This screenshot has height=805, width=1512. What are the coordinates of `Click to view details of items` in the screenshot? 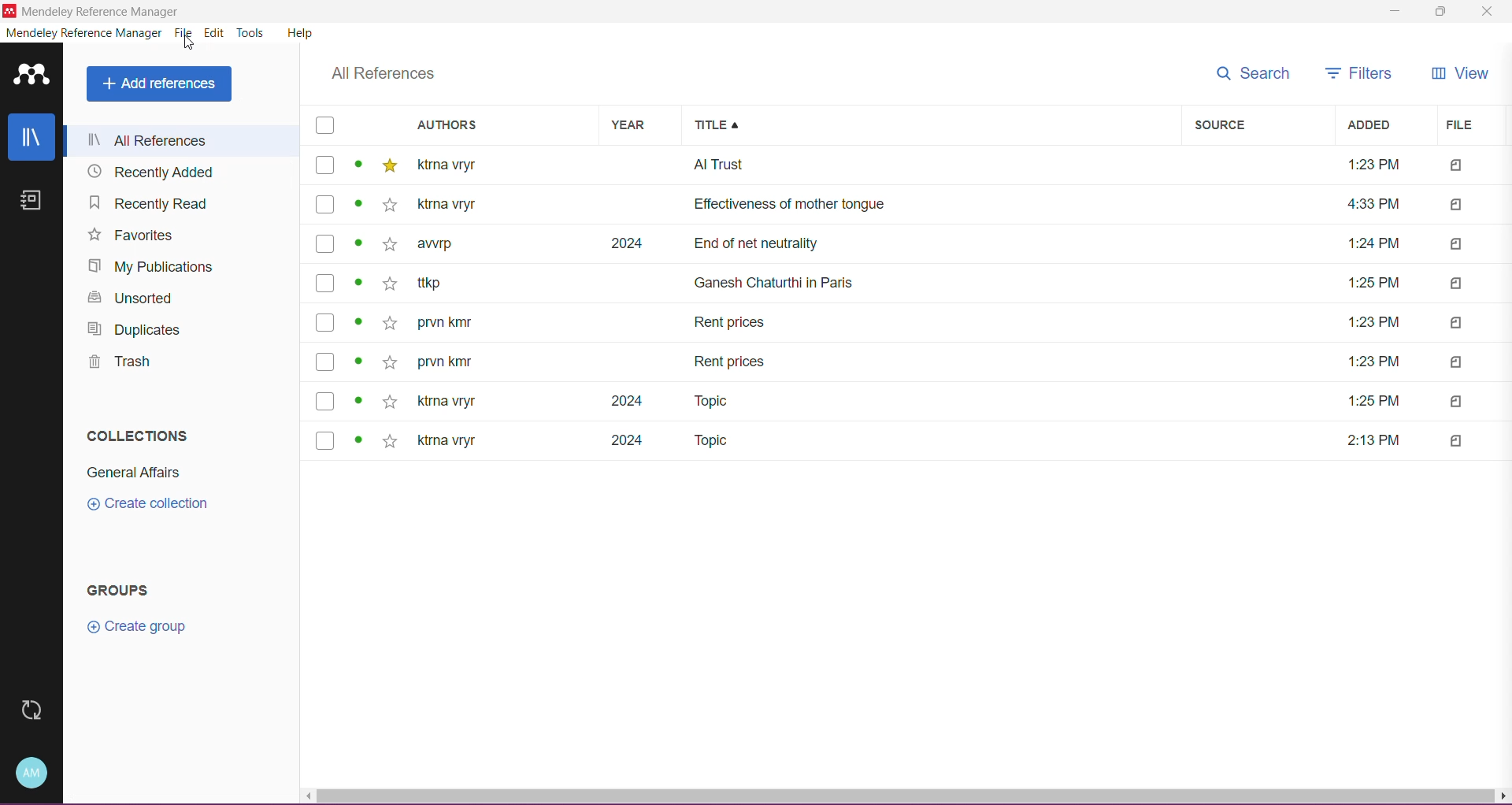 It's located at (360, 303).